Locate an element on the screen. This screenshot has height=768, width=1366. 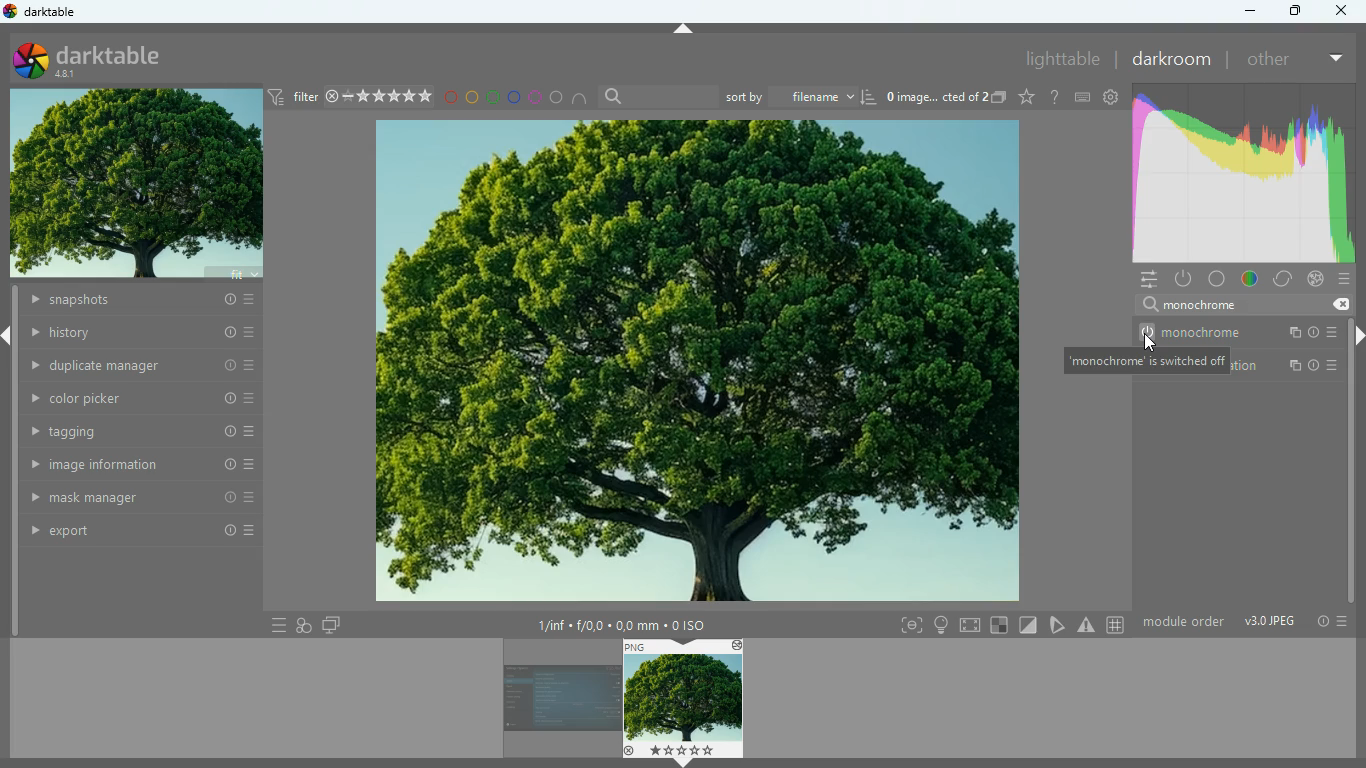
color balance rgb is located at coordinates (1292, 364).